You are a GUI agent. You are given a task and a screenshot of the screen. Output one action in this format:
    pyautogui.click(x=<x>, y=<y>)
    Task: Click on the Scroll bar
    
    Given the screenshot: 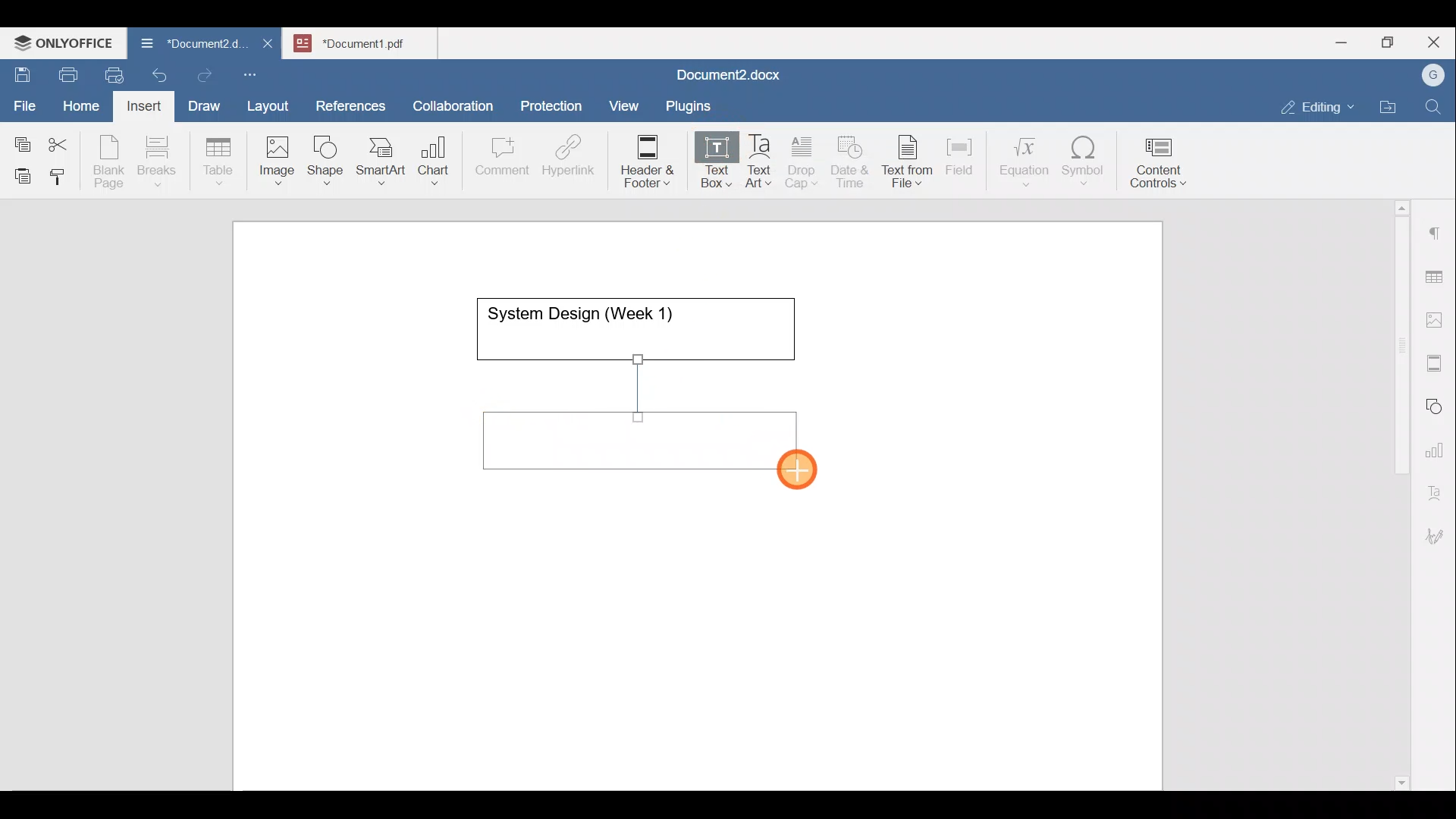 What is the action you would take?
    pyautogui.click(x=1396, y=492)
    